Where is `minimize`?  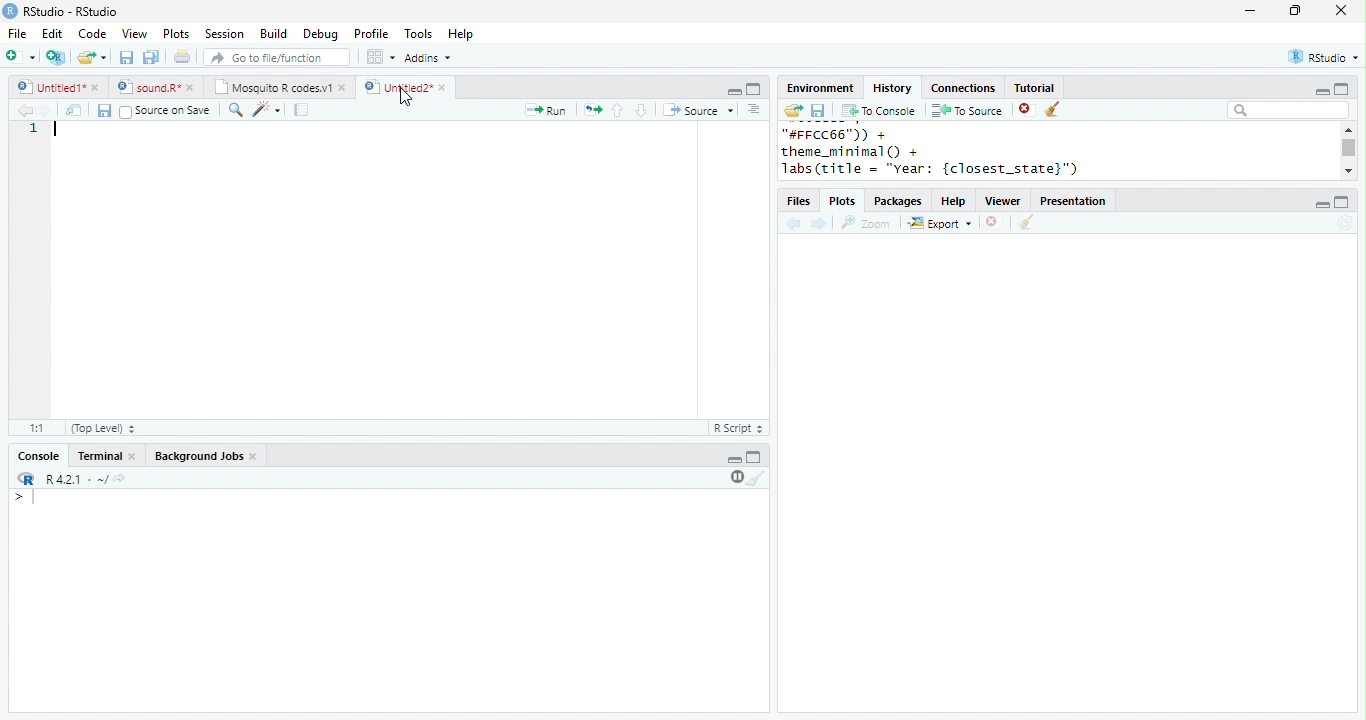 minimize is located at coordinates (735, 92).